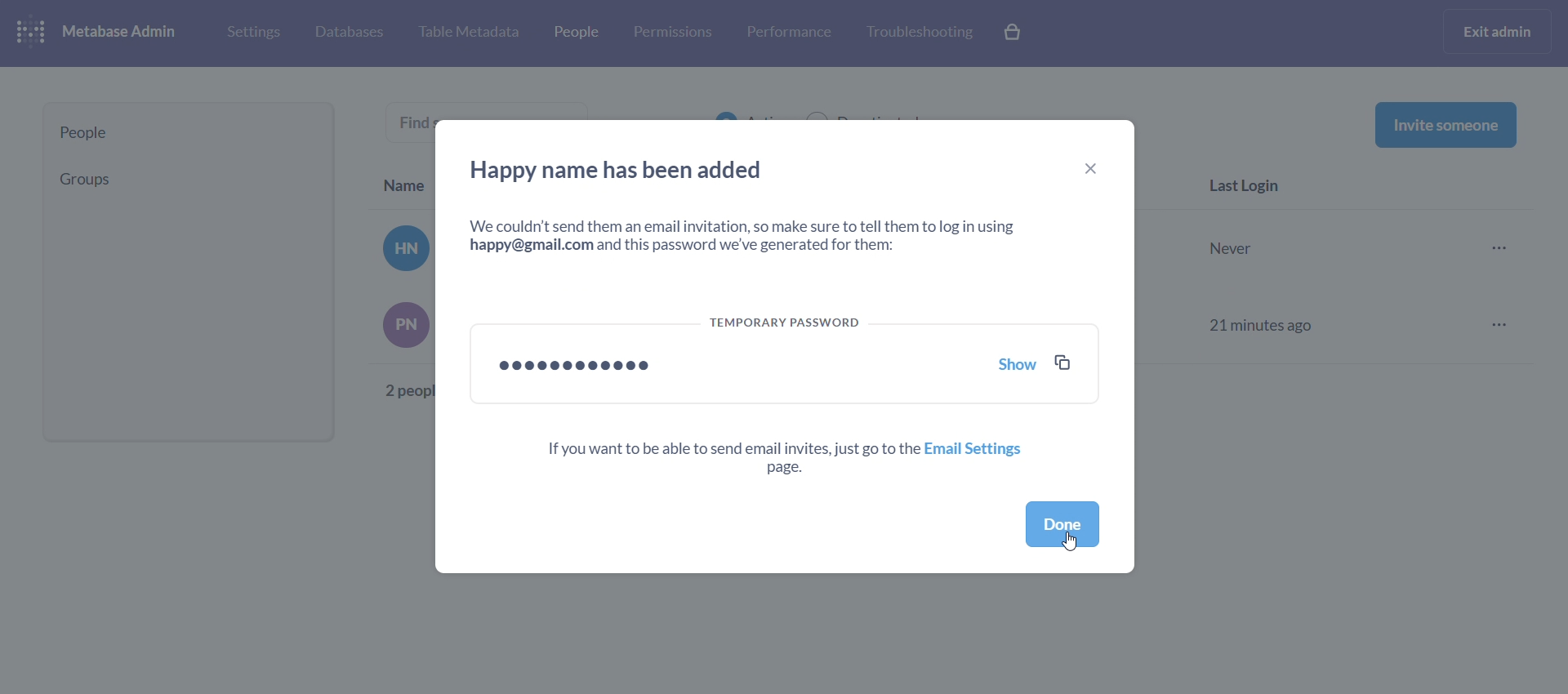 The height and width of the screenshot is (694, 1568). Describe the element at coordinates (673, 33) in the screenshot. I see `permissions` at that location.